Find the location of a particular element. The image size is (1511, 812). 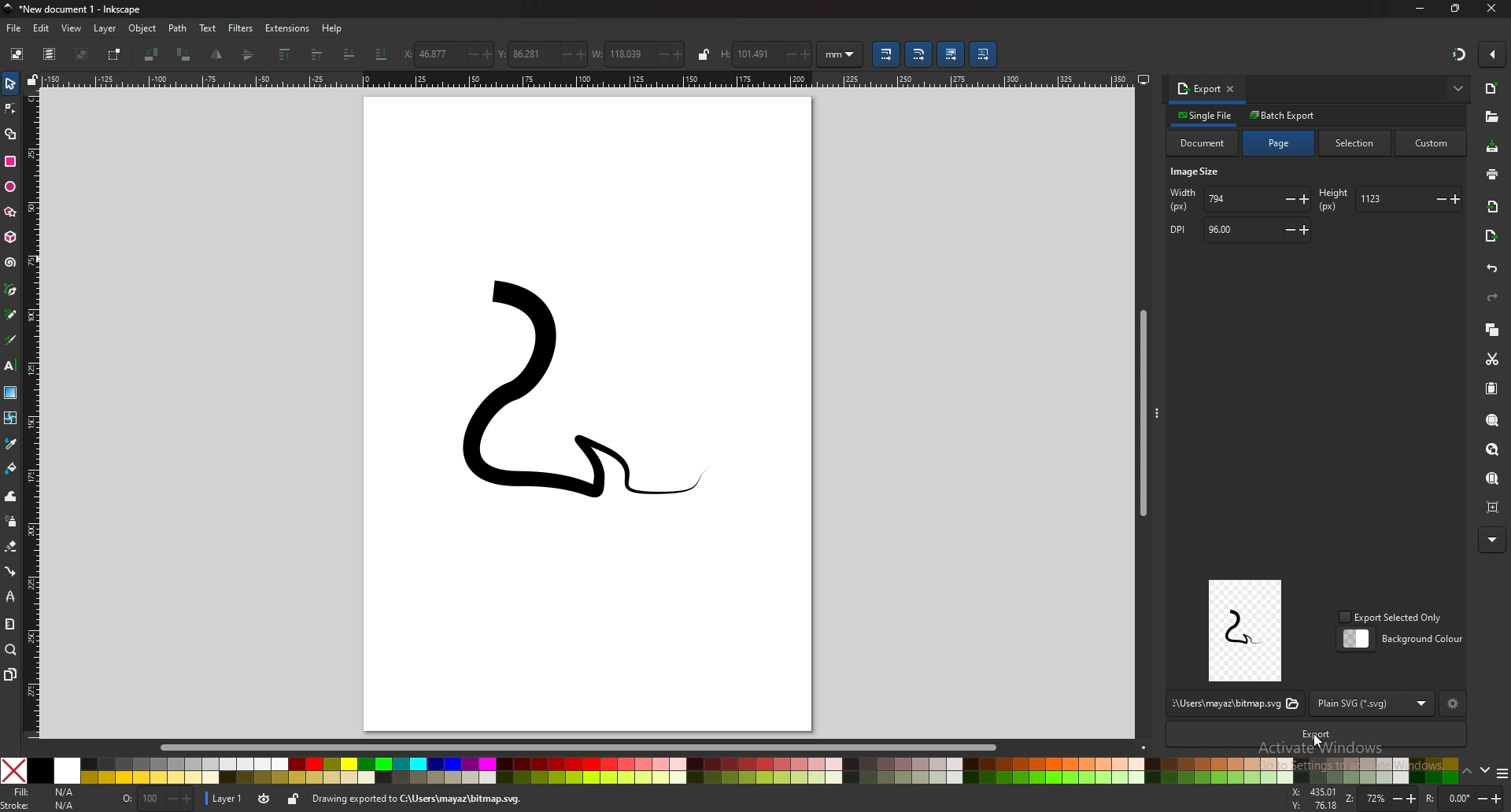

lpe is located at coordinates (9, 596).